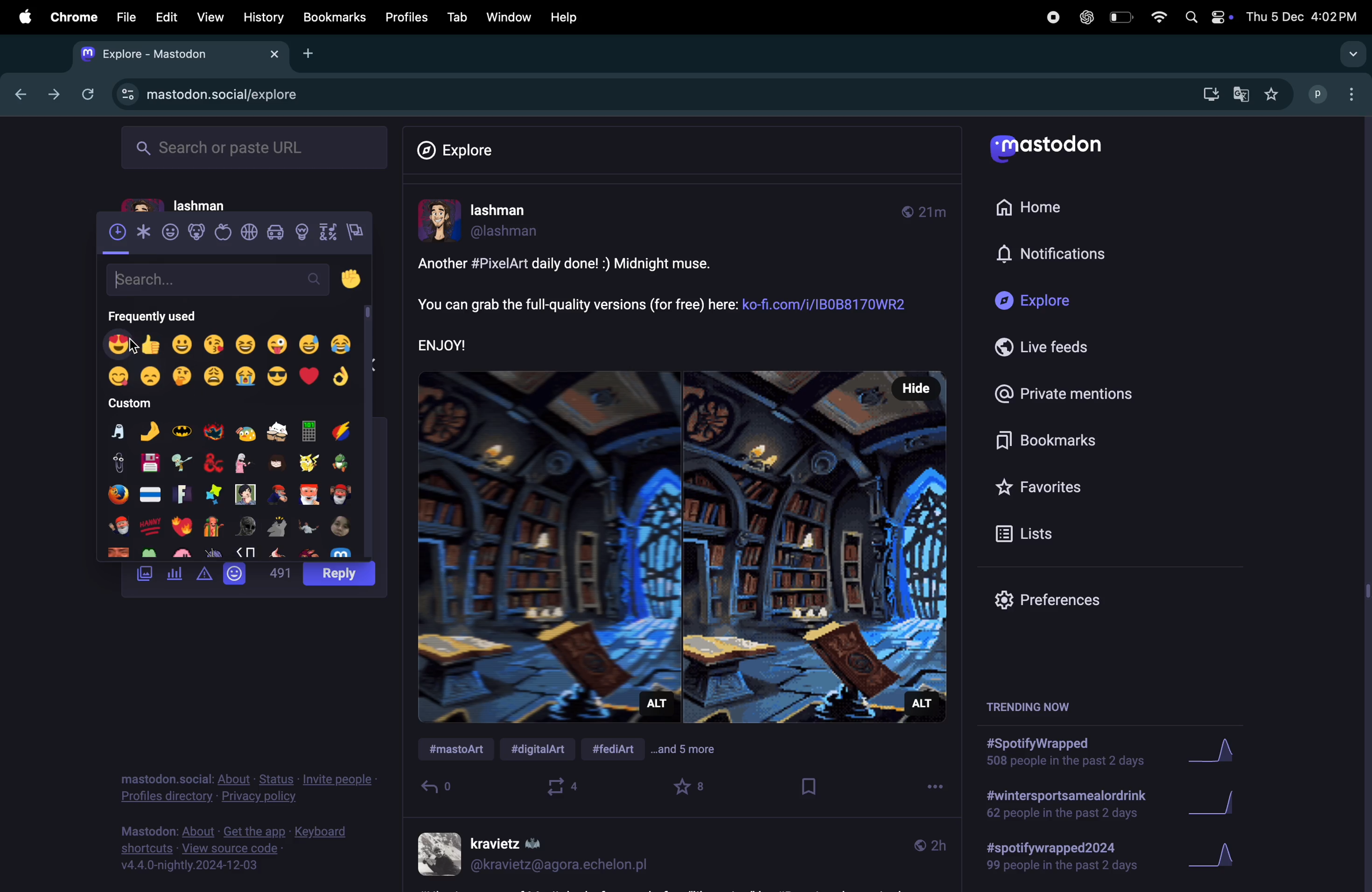 Image resolution: width=1372 pixels, height=892 pixels. What do you see at coordinates (203, 576) in the screenshot?
I see `alert` at bounding box center [203, 576].